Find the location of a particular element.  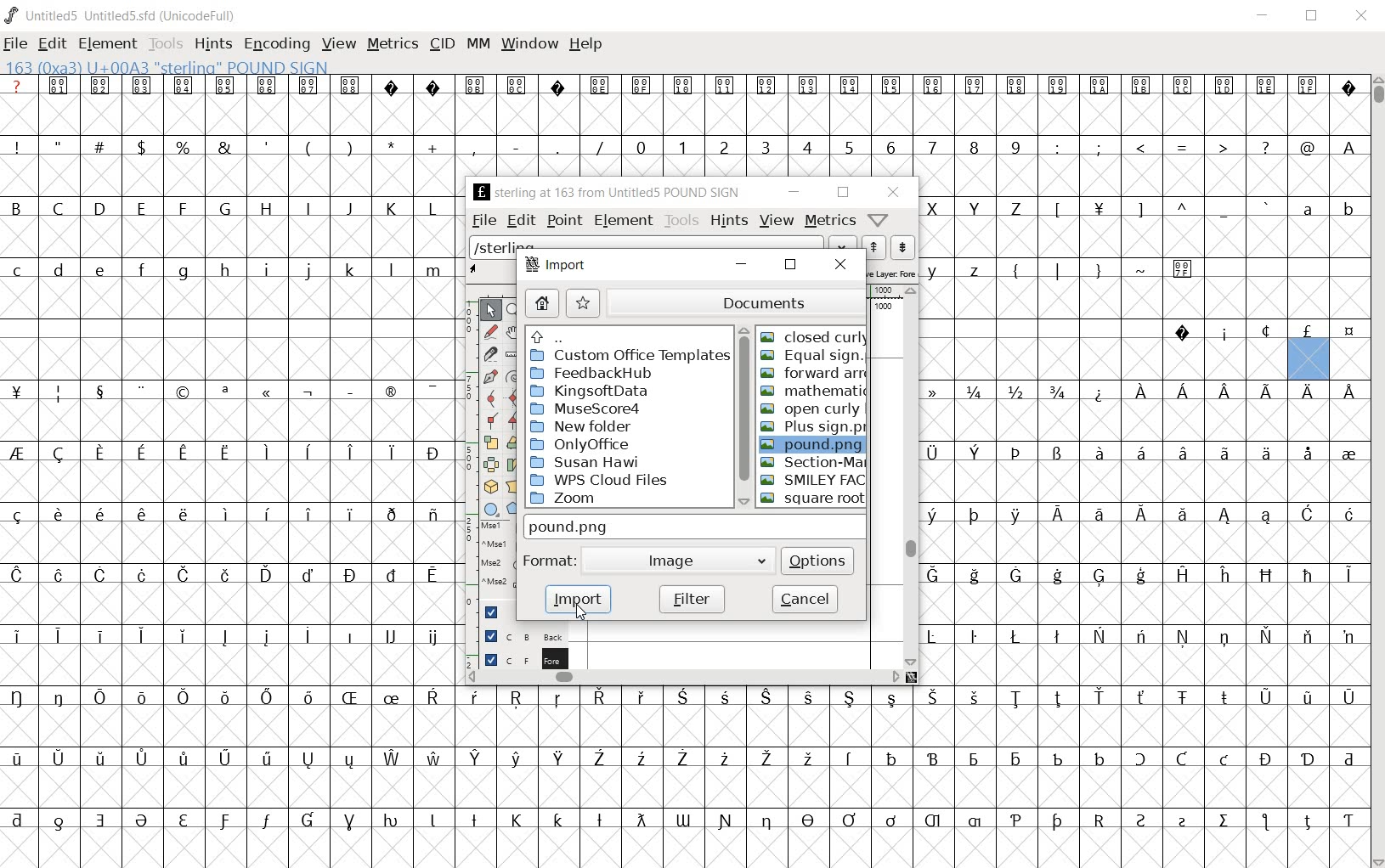

minimize is located at coordinates (793, 192).